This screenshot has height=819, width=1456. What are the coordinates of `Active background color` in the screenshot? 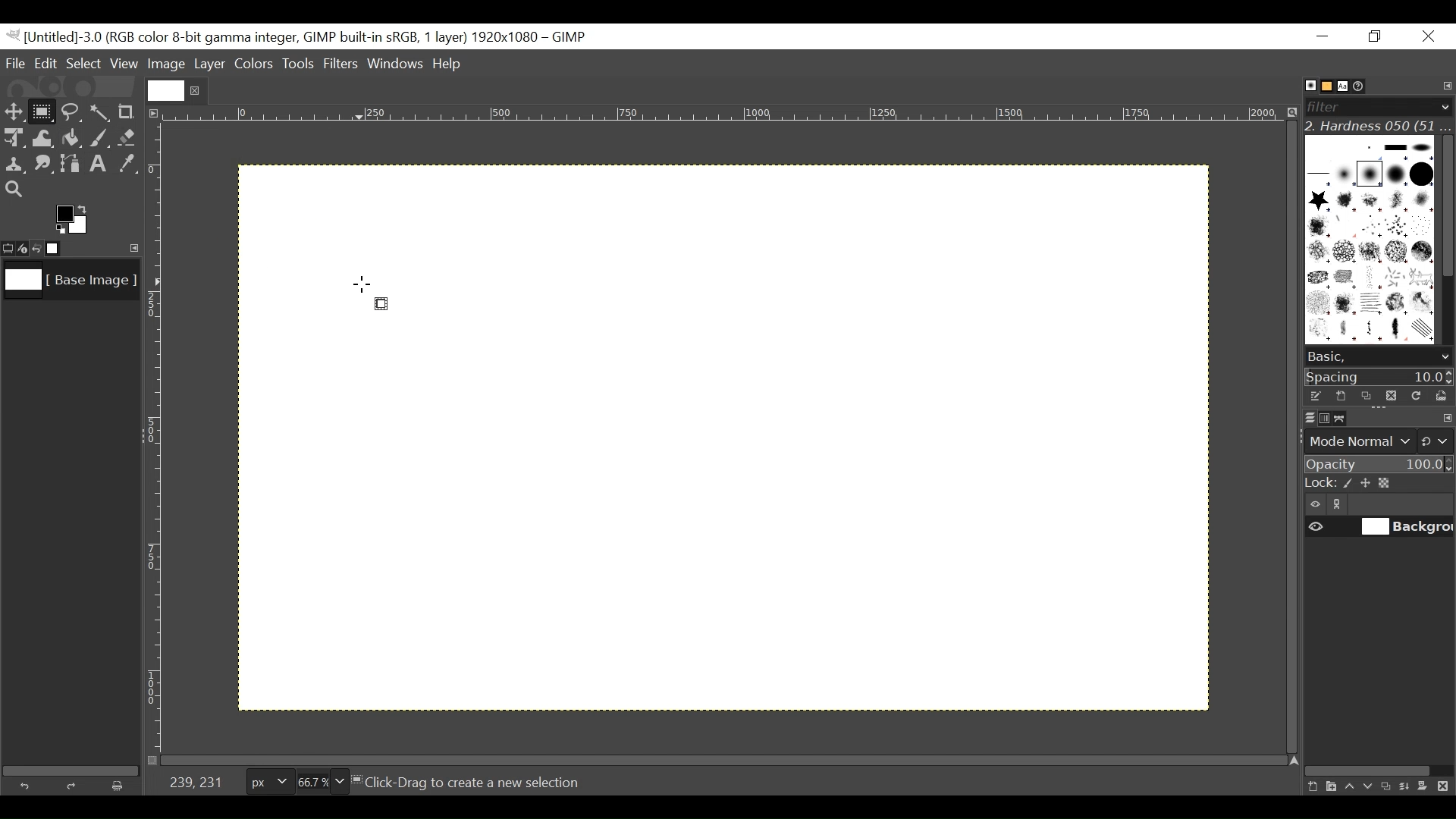 It's located at (74, 218).